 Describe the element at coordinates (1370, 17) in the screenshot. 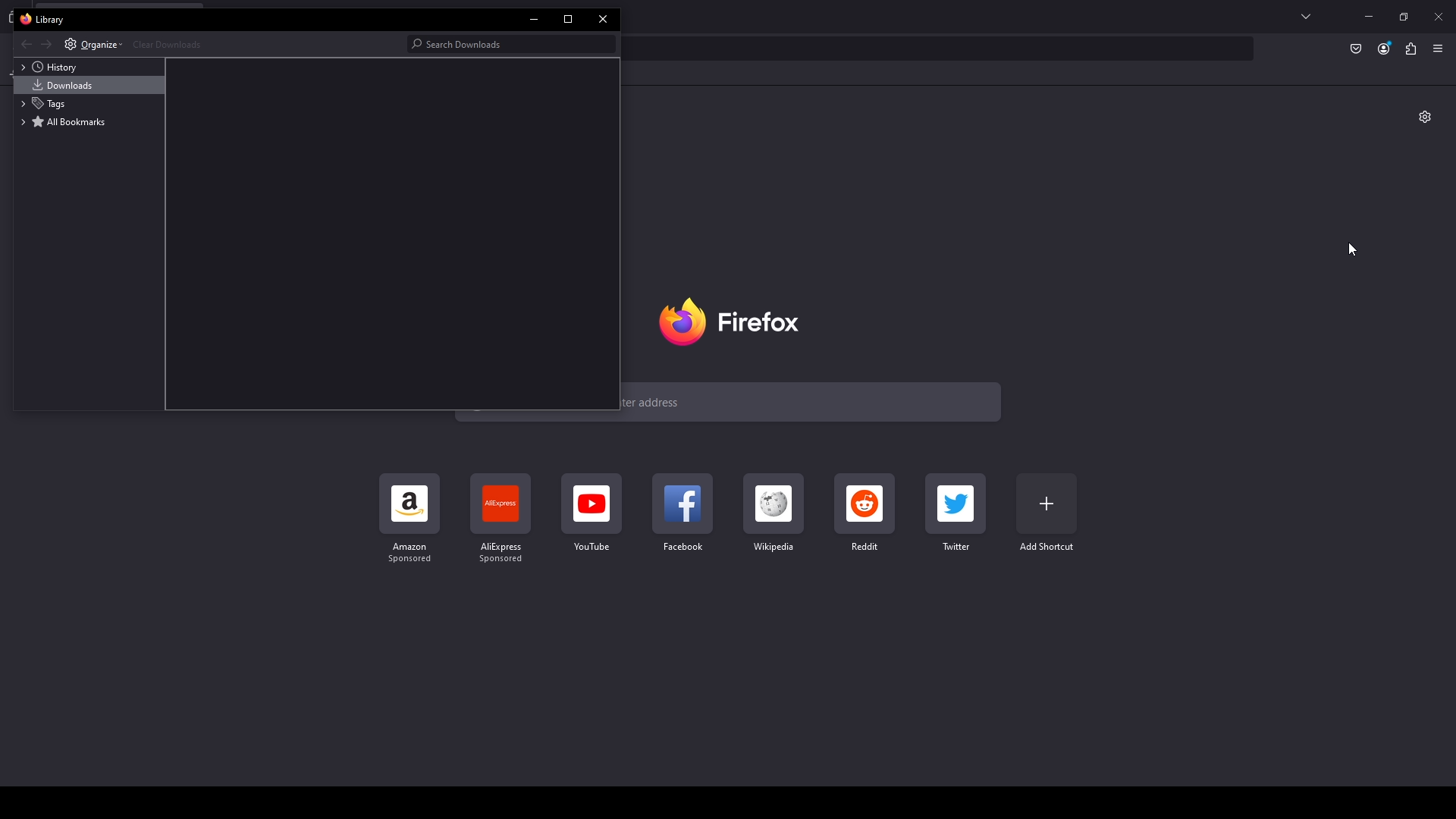

I see `Minimize` at that location.